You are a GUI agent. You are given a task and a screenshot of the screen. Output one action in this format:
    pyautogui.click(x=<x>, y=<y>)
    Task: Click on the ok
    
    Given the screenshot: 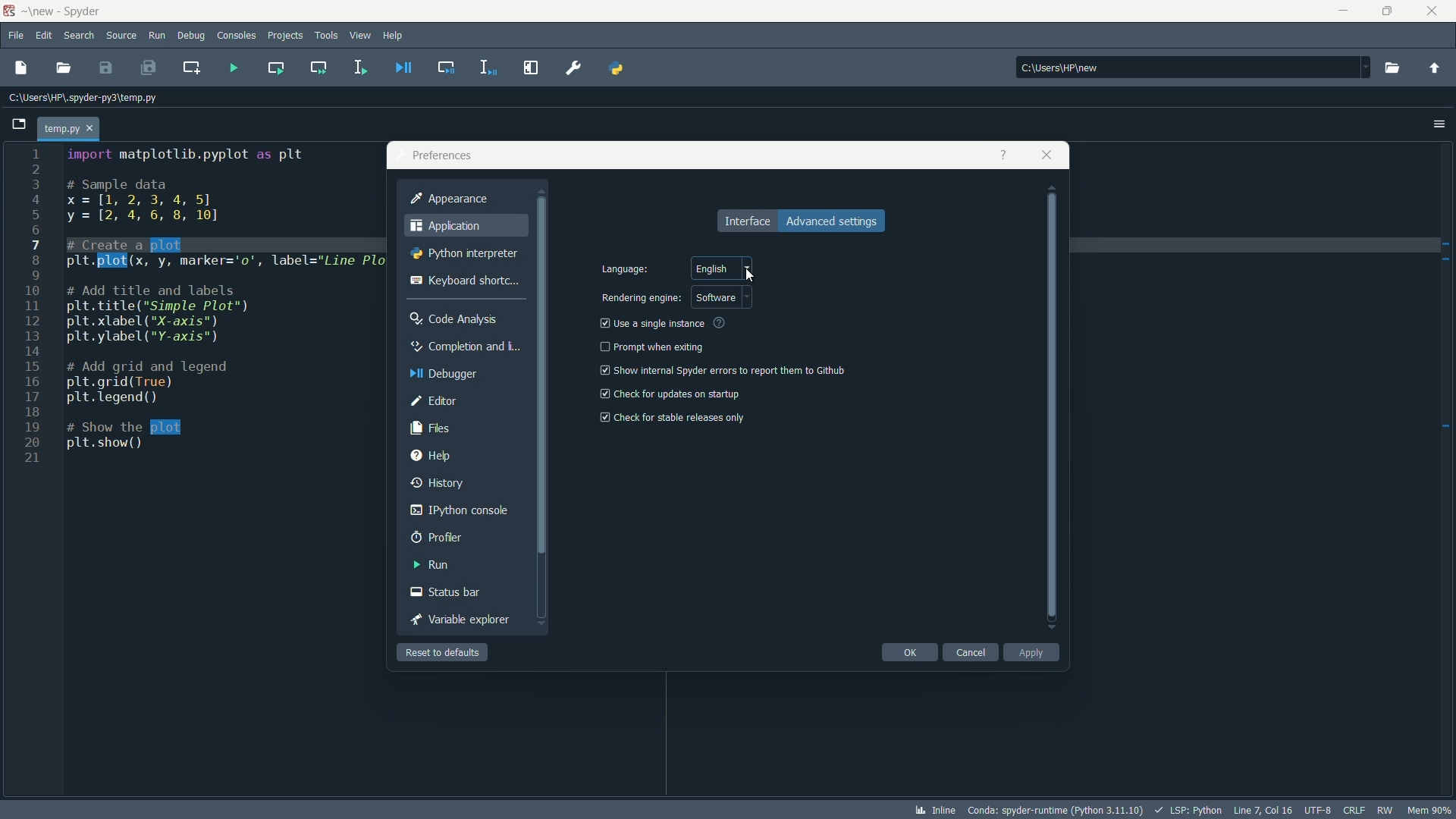 What is the action you would take?
    pyautogui.click(x=908, y=653)
    